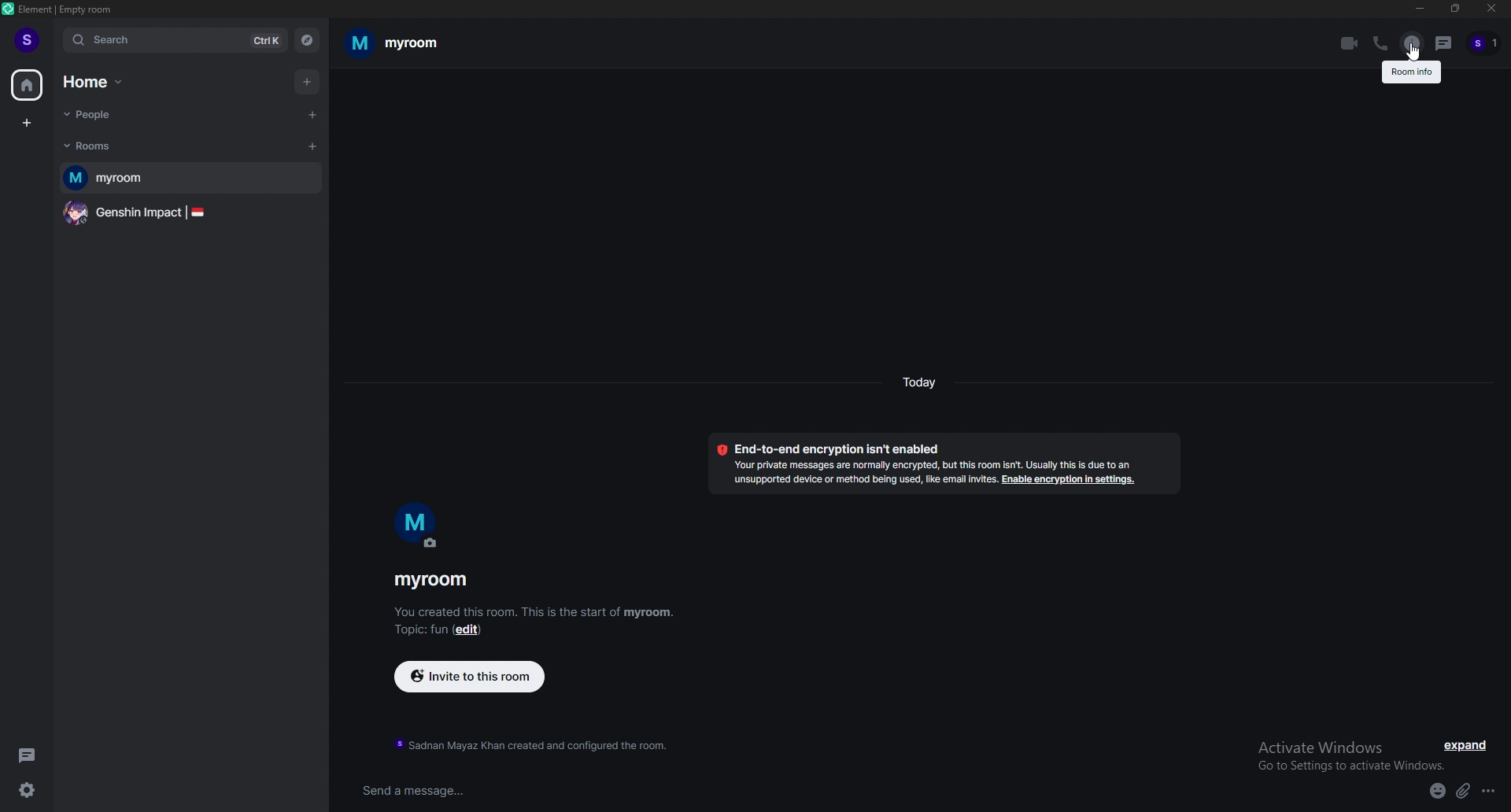  Describe the element at coordinates (1491, 9) in the screenshot. I see `close` at that location.